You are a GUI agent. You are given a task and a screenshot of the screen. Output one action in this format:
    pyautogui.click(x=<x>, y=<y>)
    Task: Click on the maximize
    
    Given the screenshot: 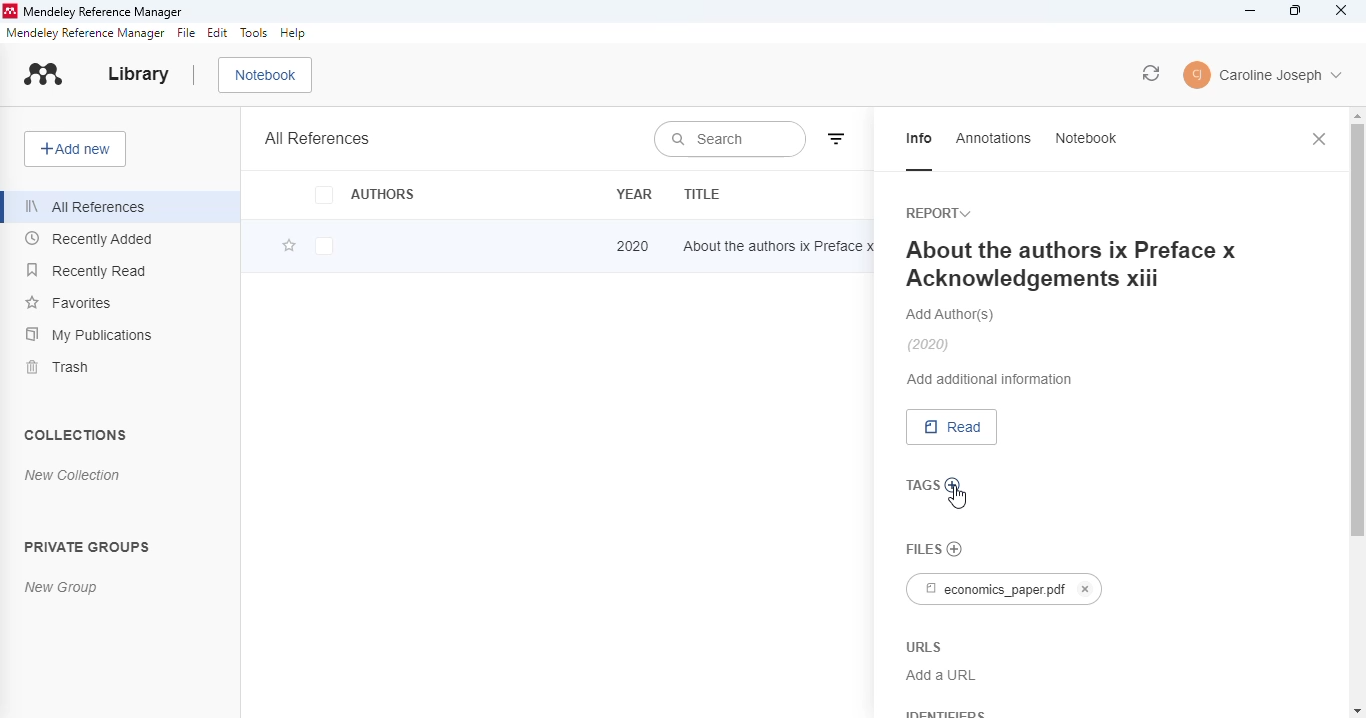 What is the action you would take?
    pyautogui.click(x=1297, y=11)
    